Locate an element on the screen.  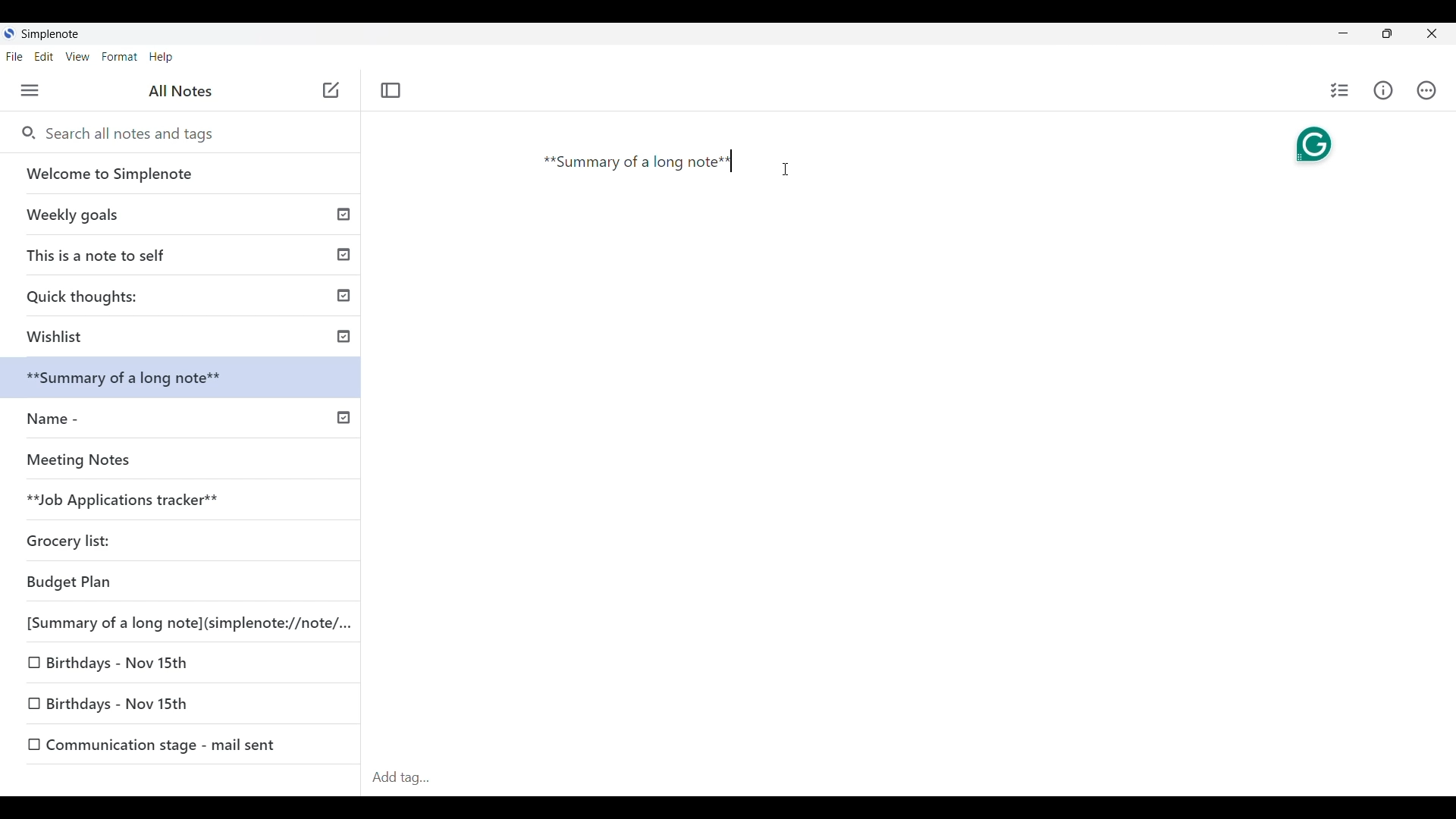
All notes is located at coordinates (180, 90).